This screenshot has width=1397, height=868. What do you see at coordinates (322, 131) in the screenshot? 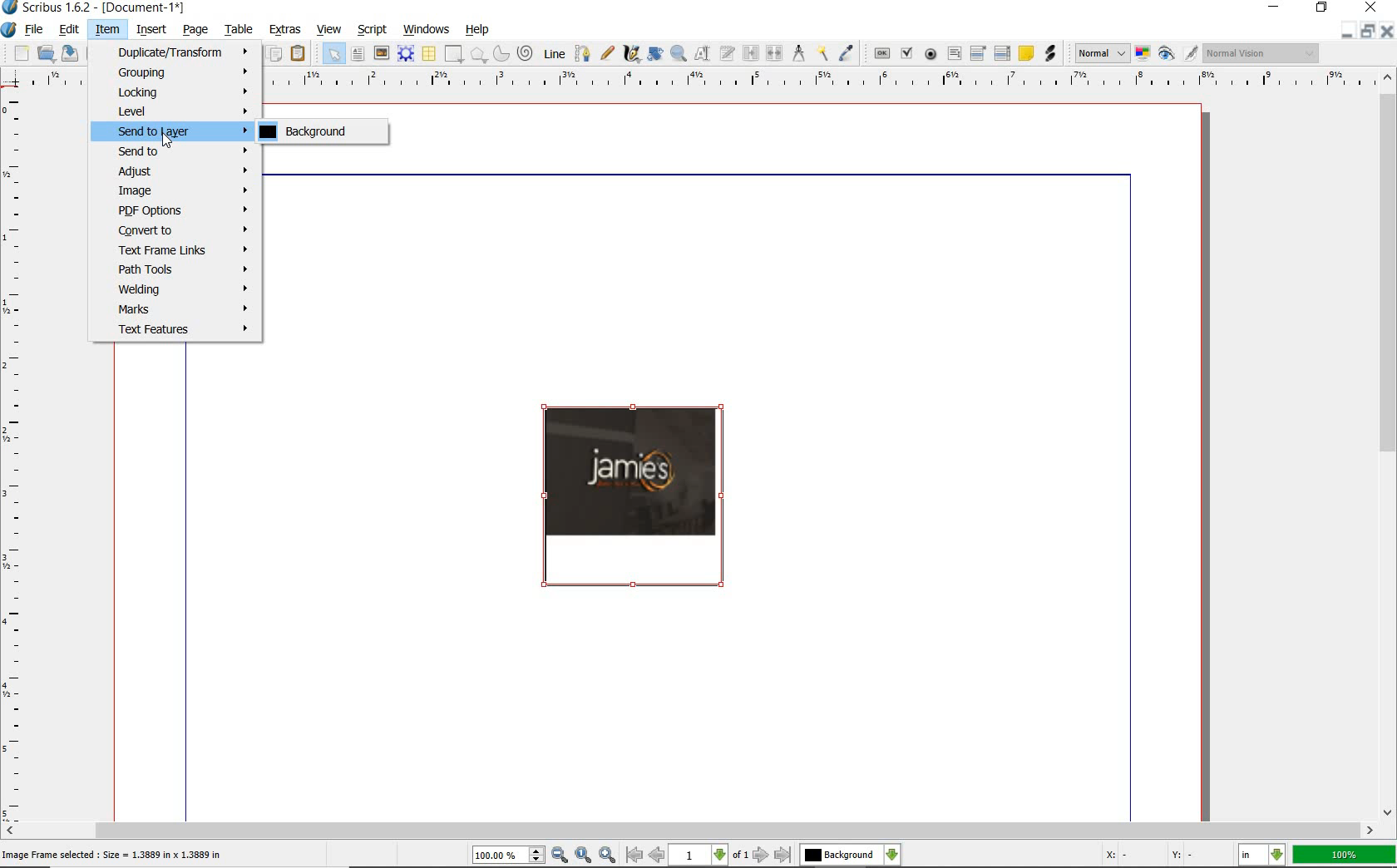
I see `Background` at bounding box center [322, 131].